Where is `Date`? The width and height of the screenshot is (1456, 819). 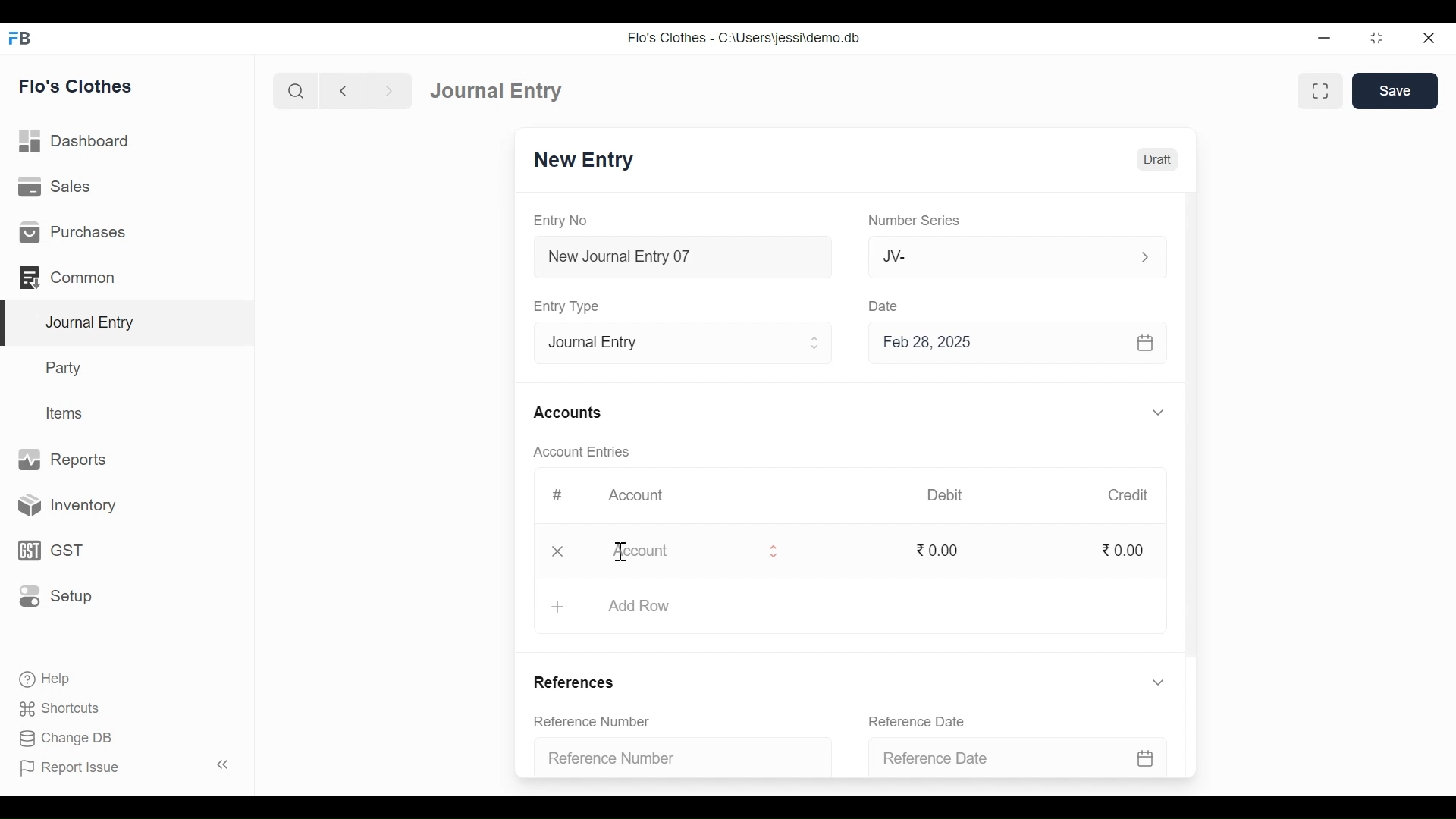
Date is located at coordinates (888, 307).